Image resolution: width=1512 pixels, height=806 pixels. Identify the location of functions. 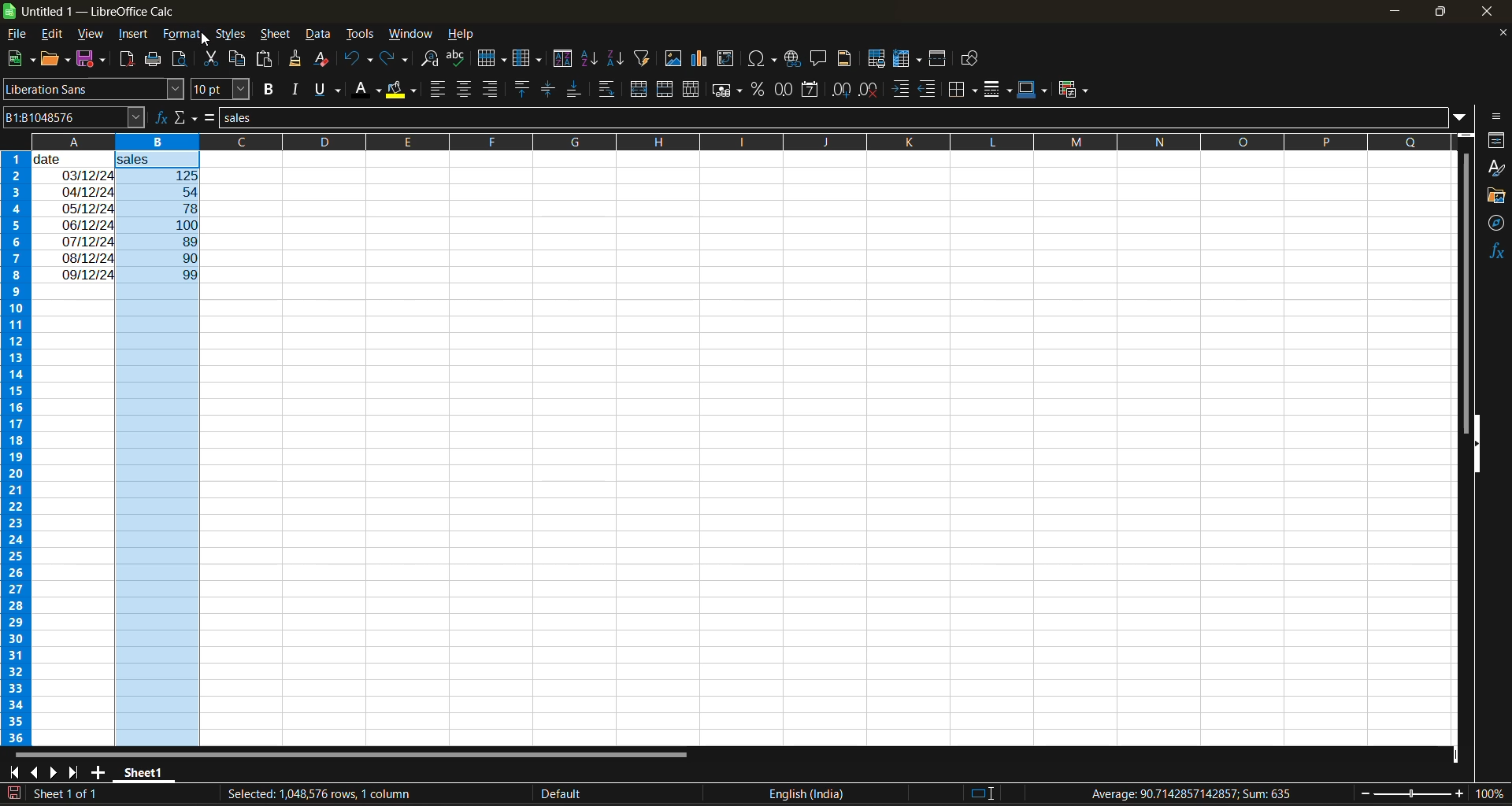
(1493, 253).